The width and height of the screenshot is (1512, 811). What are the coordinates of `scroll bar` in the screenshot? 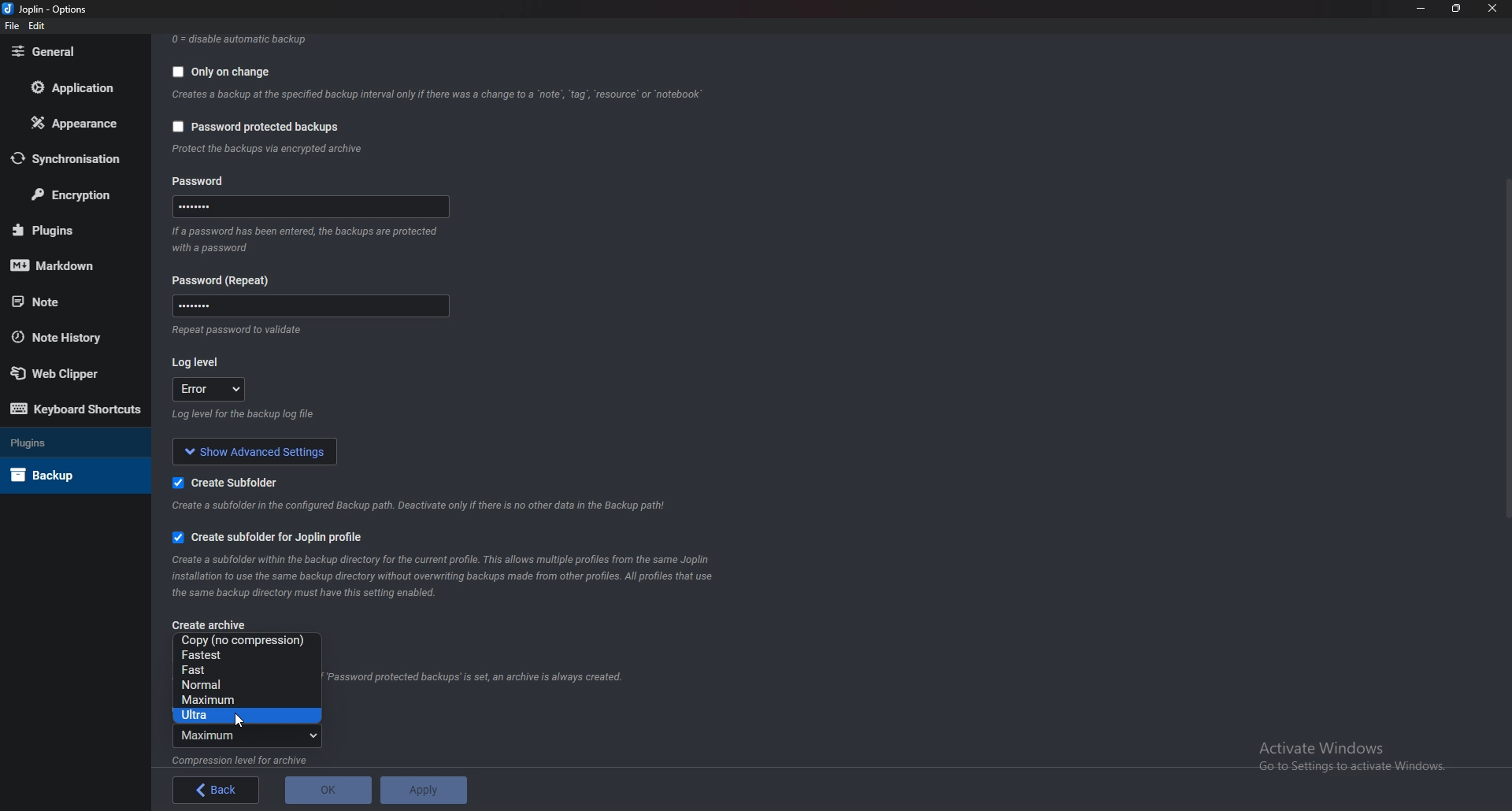 It's located at (1506, 353).